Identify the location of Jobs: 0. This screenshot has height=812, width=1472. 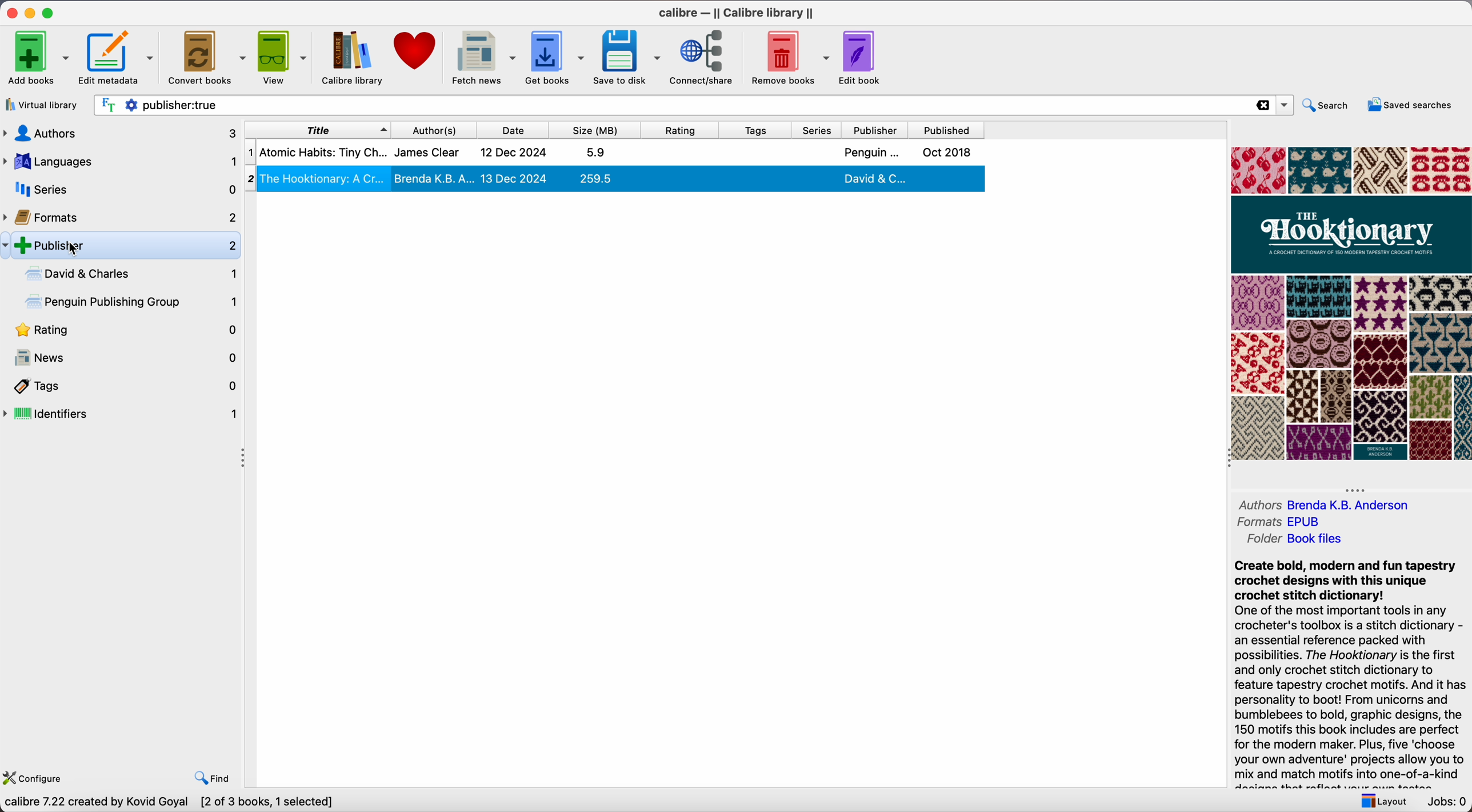
(1445, 802).